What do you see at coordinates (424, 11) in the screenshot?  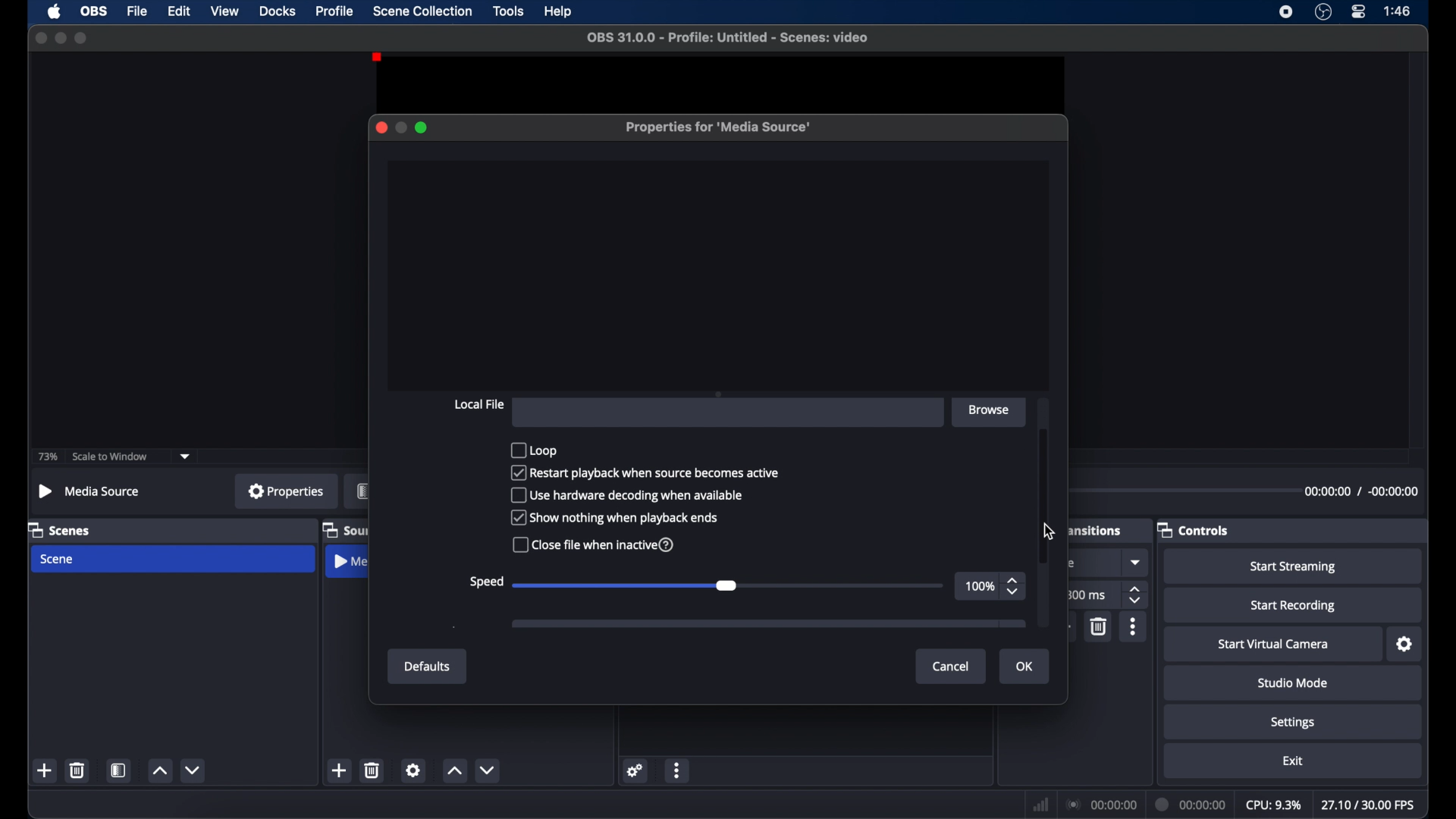 I see `scene collection` at bounding box center [424, 11].